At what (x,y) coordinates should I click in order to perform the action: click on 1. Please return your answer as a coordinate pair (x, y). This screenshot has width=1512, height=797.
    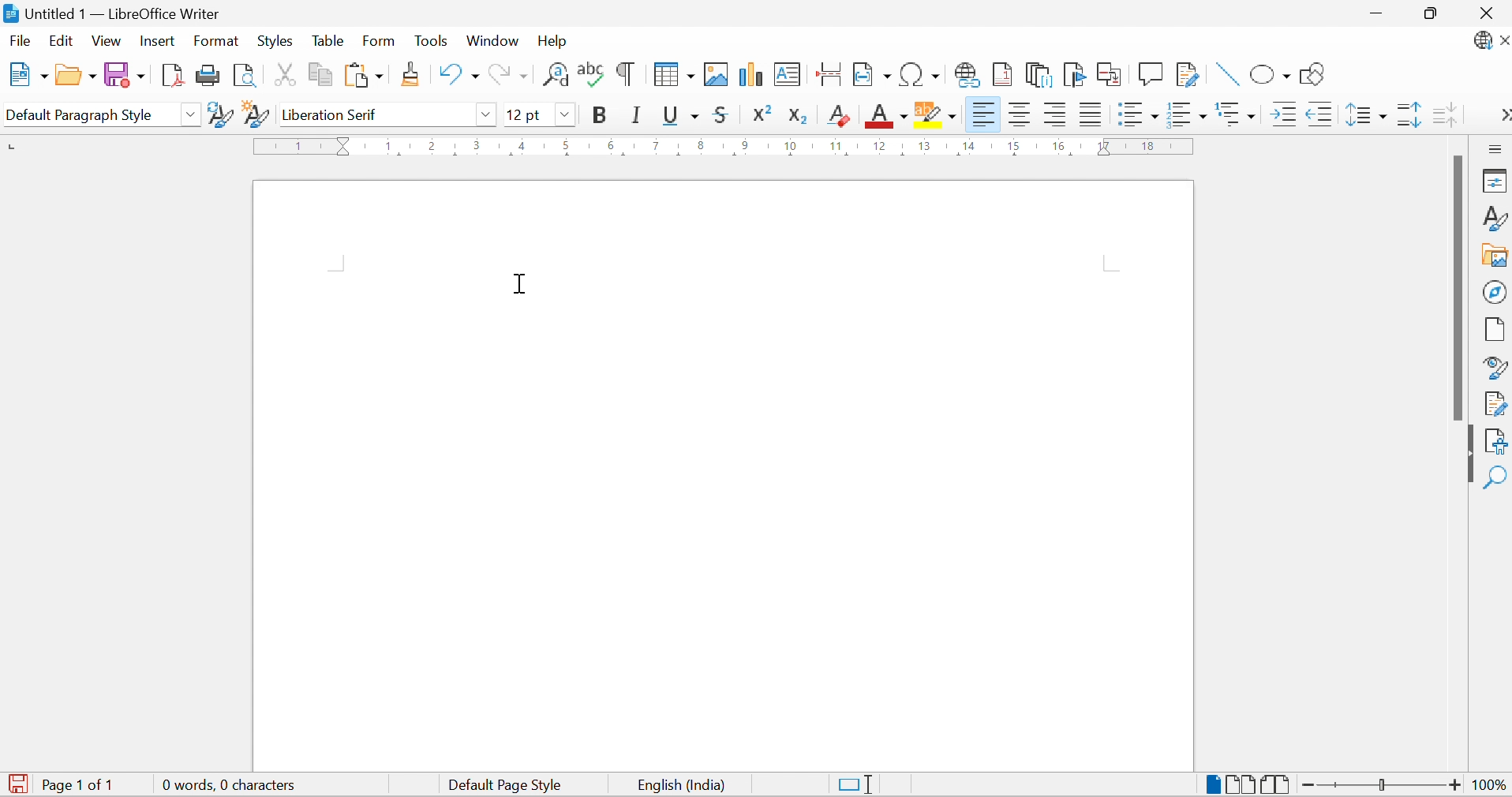
    Looking at the image, I should click on (389, 144).